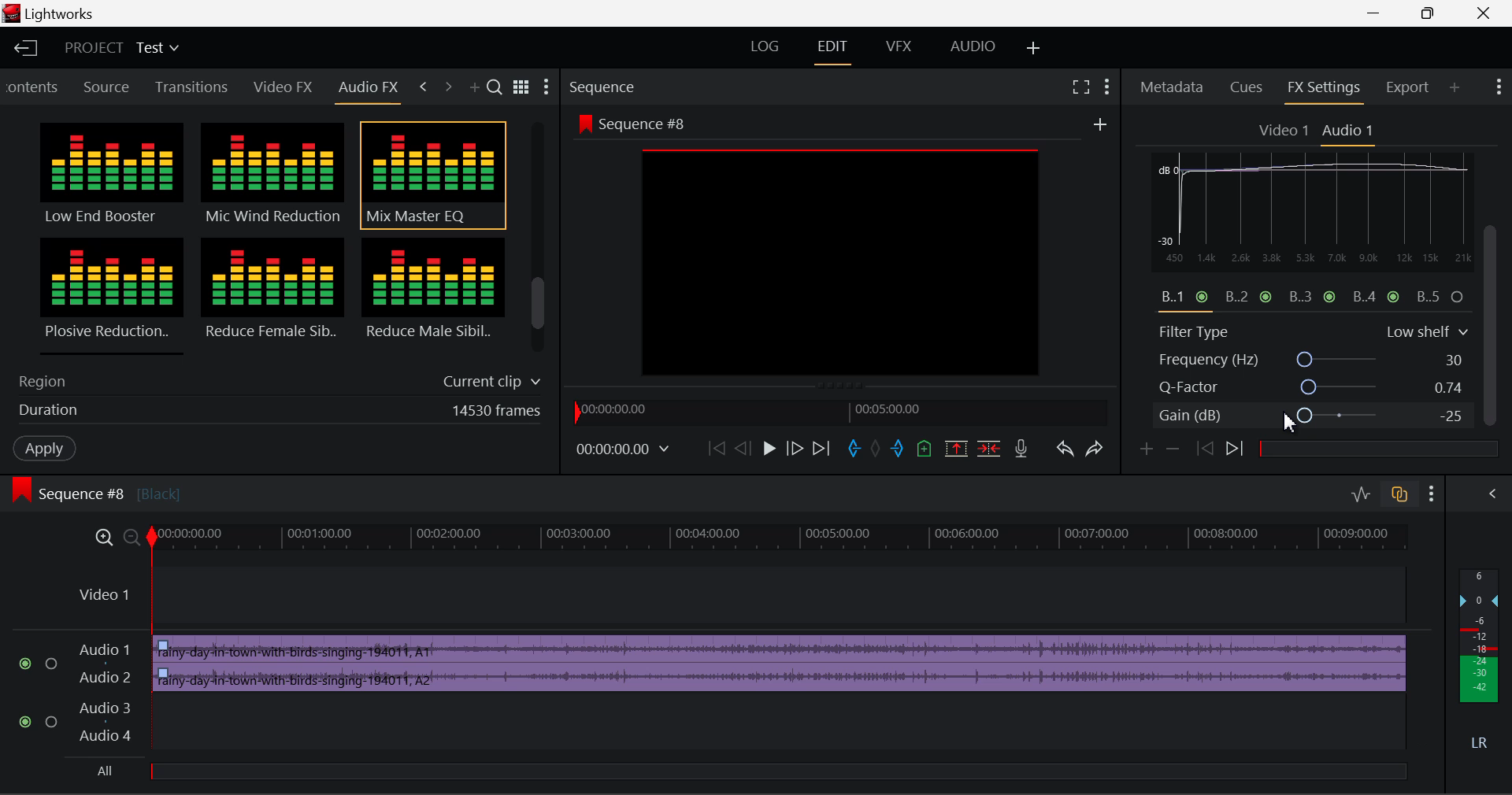 This screenshot has width=1512, height=795. What do you see at coordinates (1455, 89) in the screenshot?
I see `Add Panel` at bounding box center [1455, 89].